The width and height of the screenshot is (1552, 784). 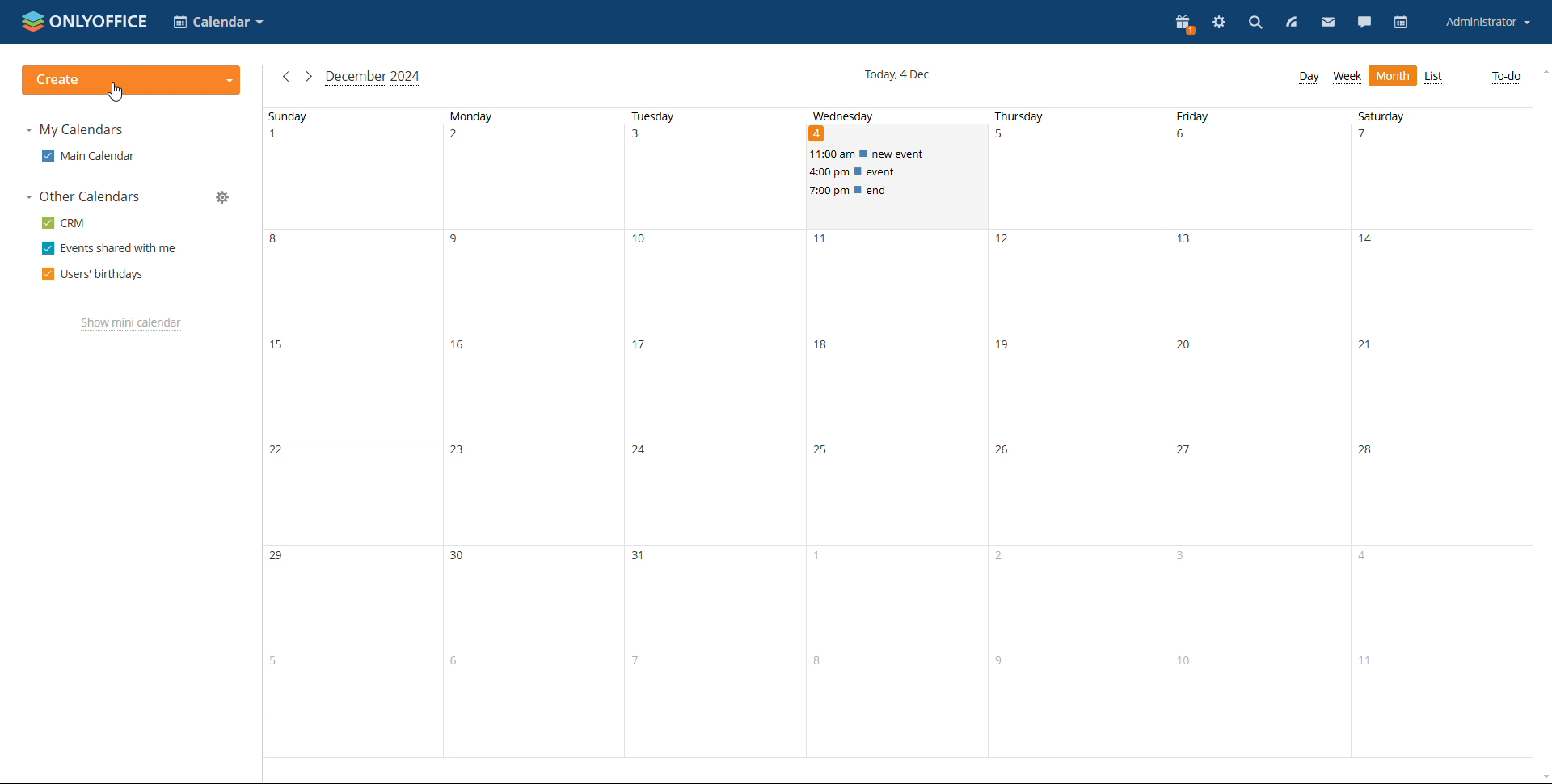 I want to click on feed, so click(x=1293, y=24).